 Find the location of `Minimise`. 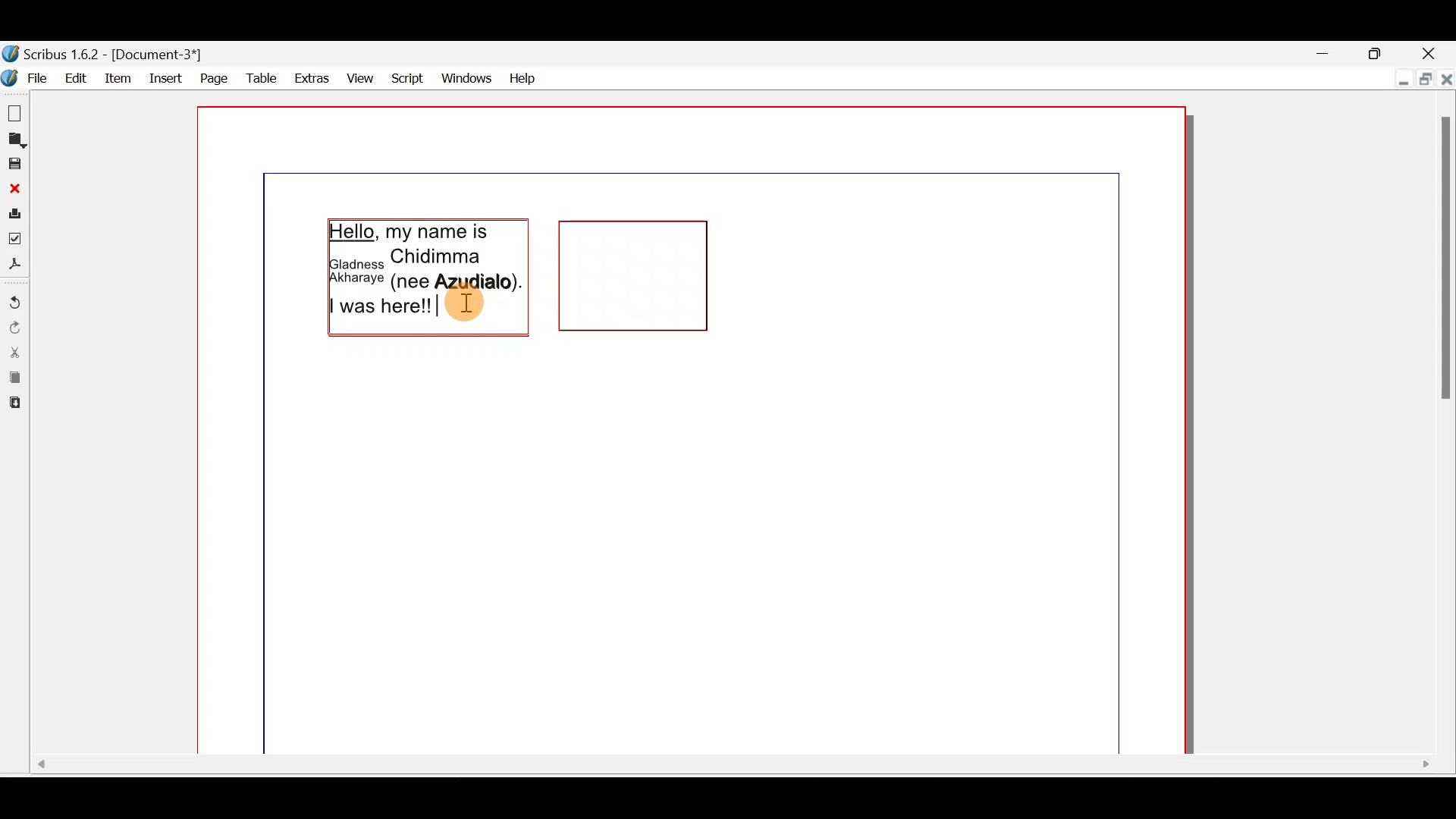

Minimise is located at coordinates (1400, 76).